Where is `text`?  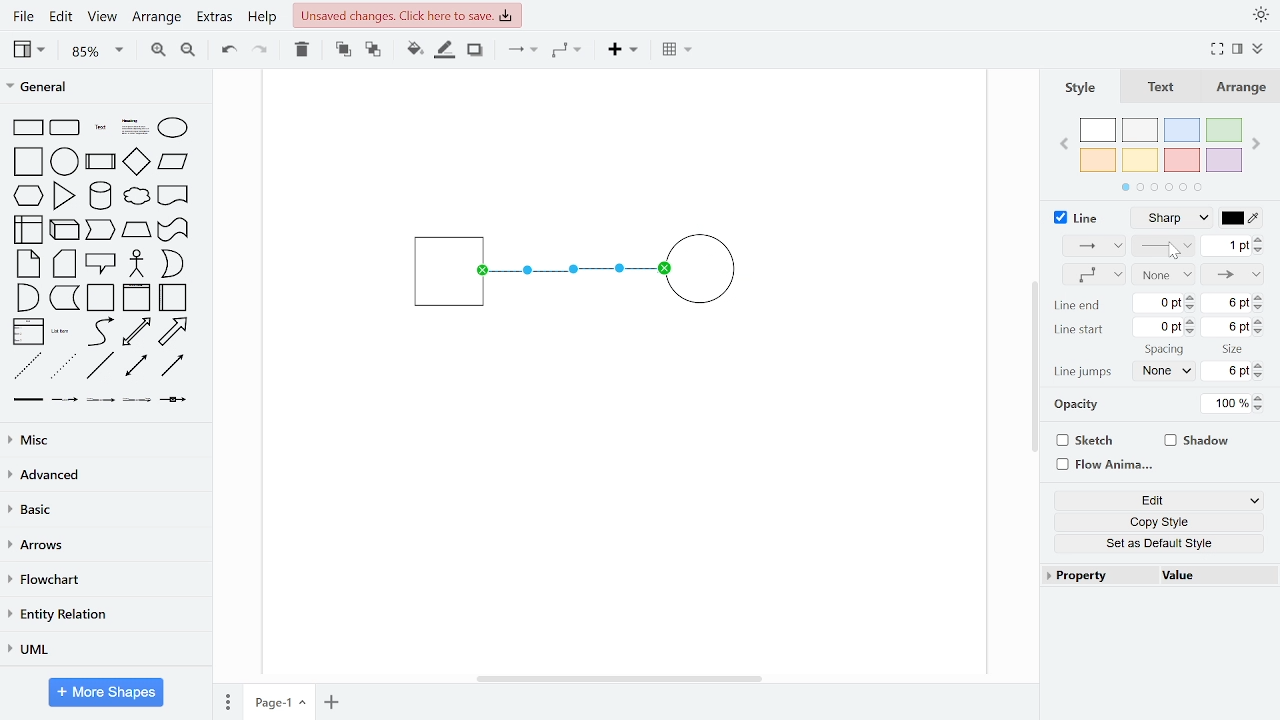
text is located at coordinates (1164, 89).